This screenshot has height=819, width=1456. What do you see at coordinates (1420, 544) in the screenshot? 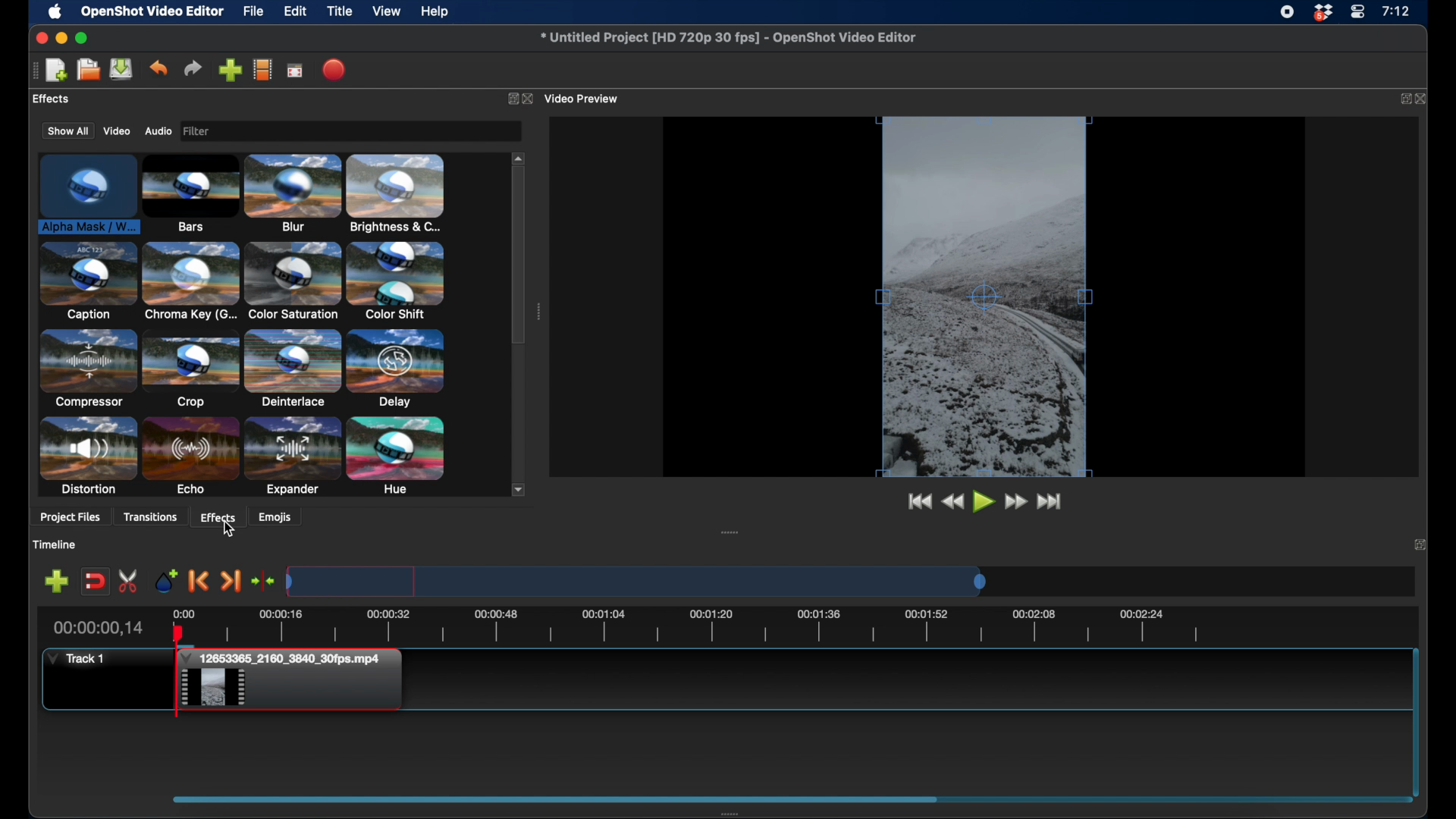
I see `expand` at bounding box center [1420, 544].